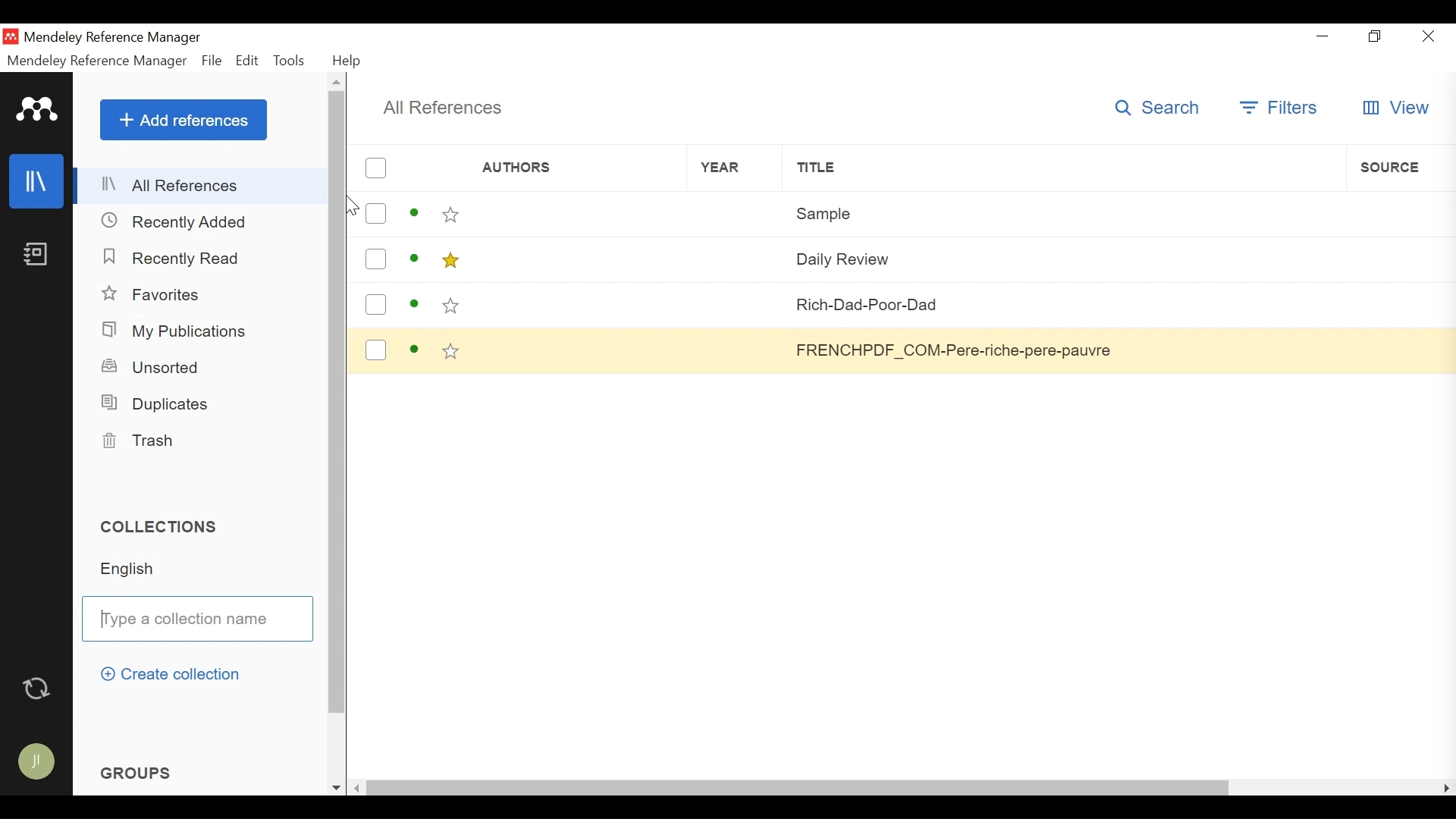  I want to click on My Publications, so click(178, 331).